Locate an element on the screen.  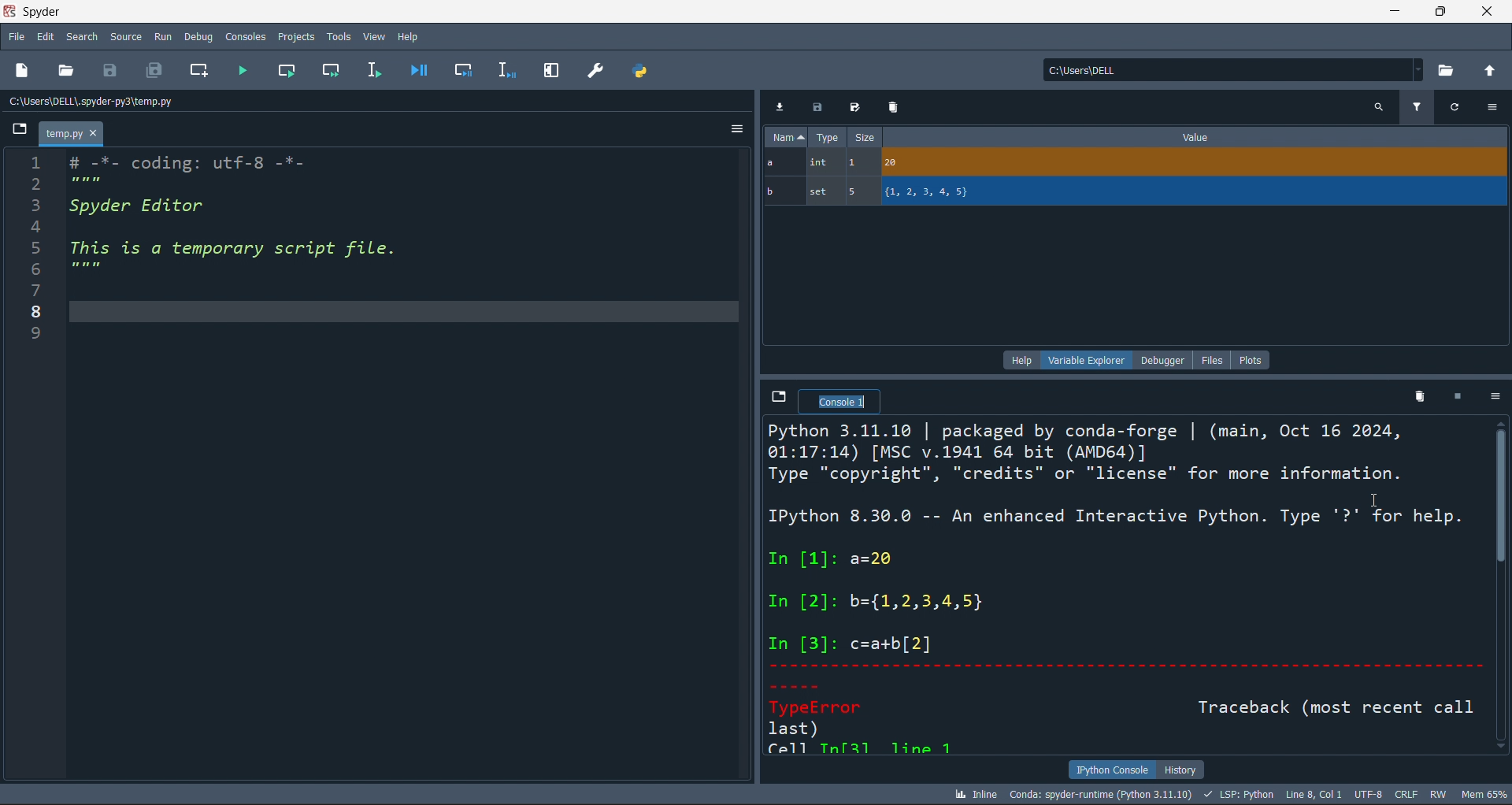
refresh  is located at coordinates (1453, 106).